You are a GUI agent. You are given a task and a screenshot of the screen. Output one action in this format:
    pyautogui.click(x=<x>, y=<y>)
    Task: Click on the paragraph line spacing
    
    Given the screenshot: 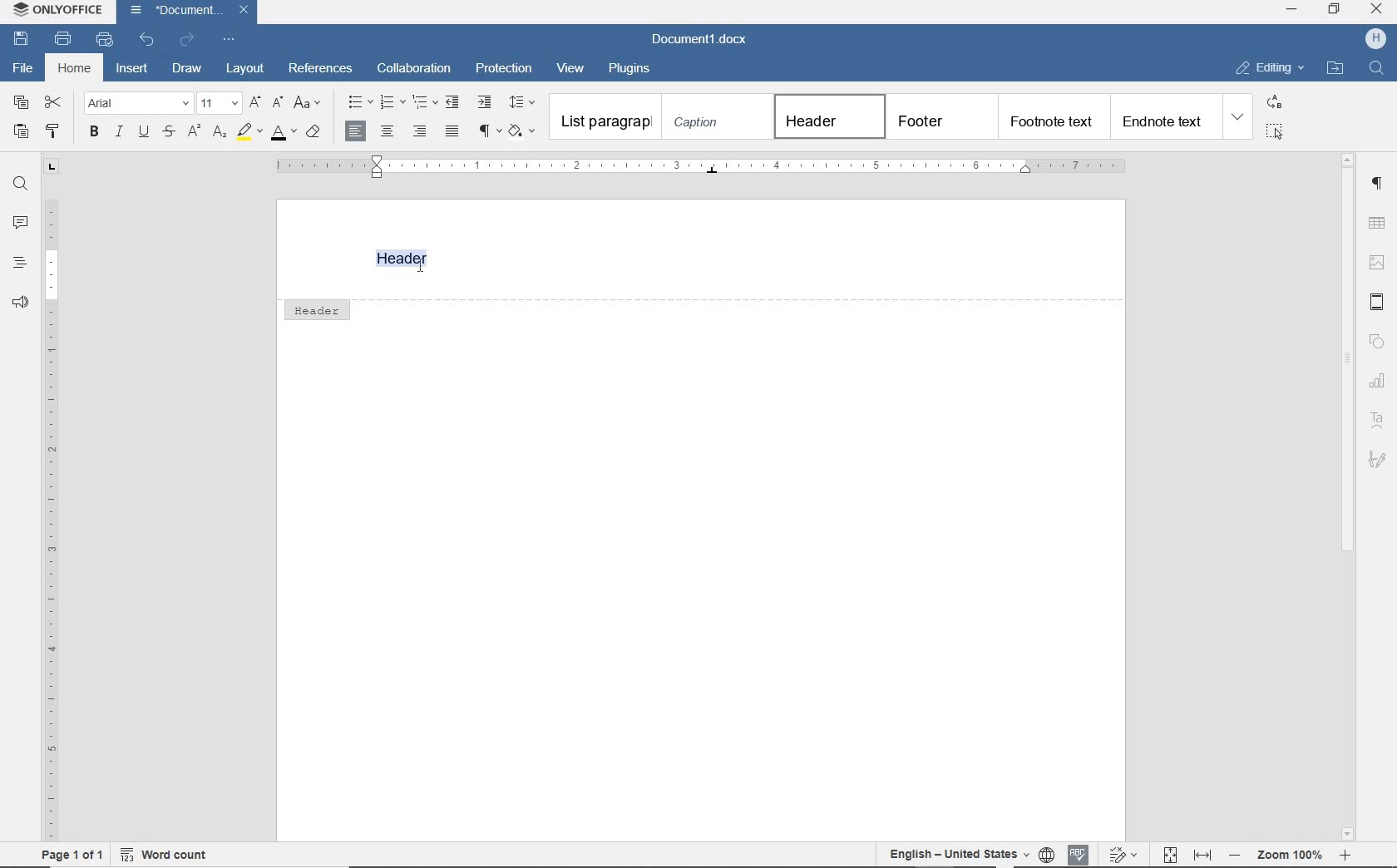 What is the action you would take?
    pyautogui.click(x=525, y=102)
    